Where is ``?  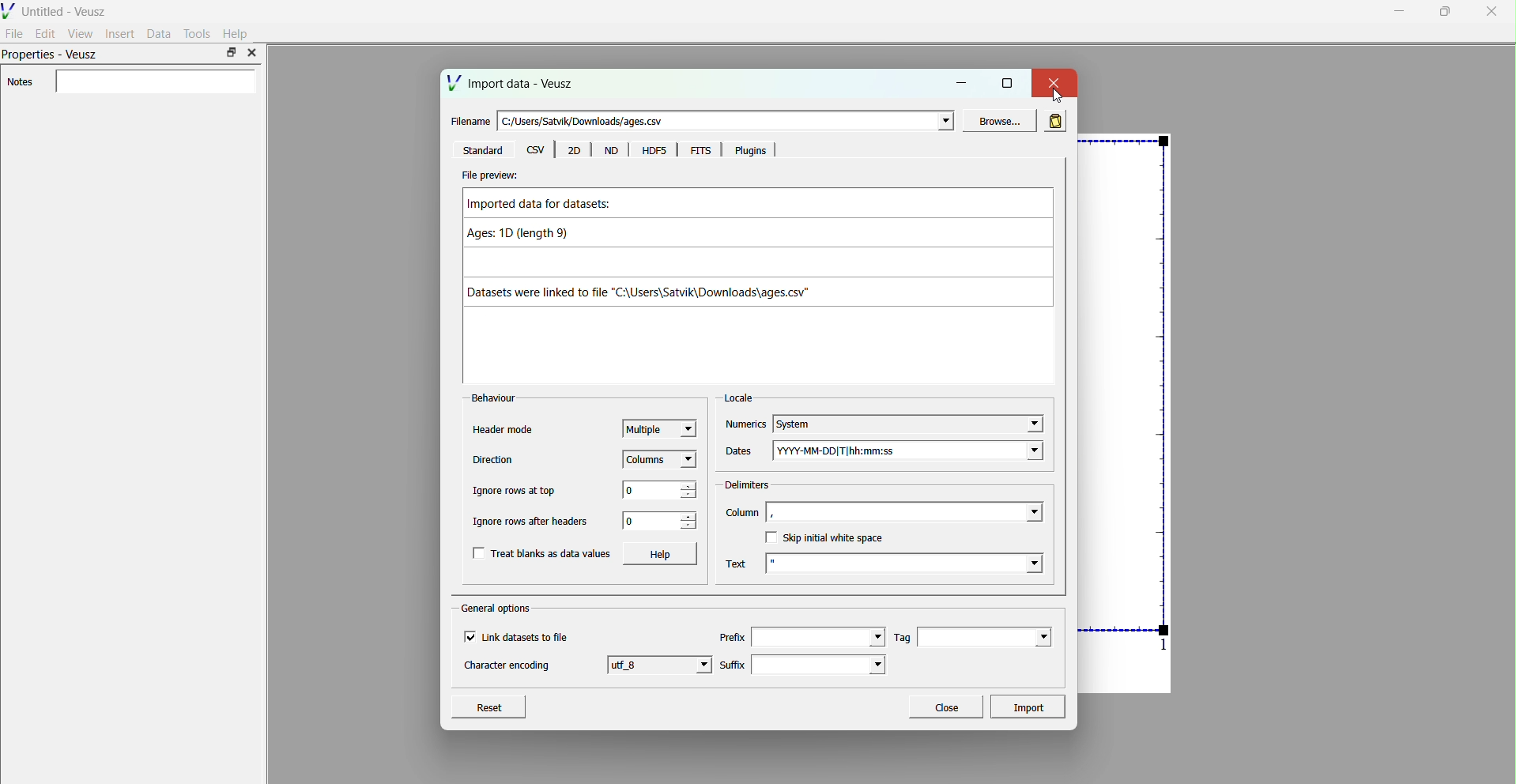
 is located at coordinates (612, 152).